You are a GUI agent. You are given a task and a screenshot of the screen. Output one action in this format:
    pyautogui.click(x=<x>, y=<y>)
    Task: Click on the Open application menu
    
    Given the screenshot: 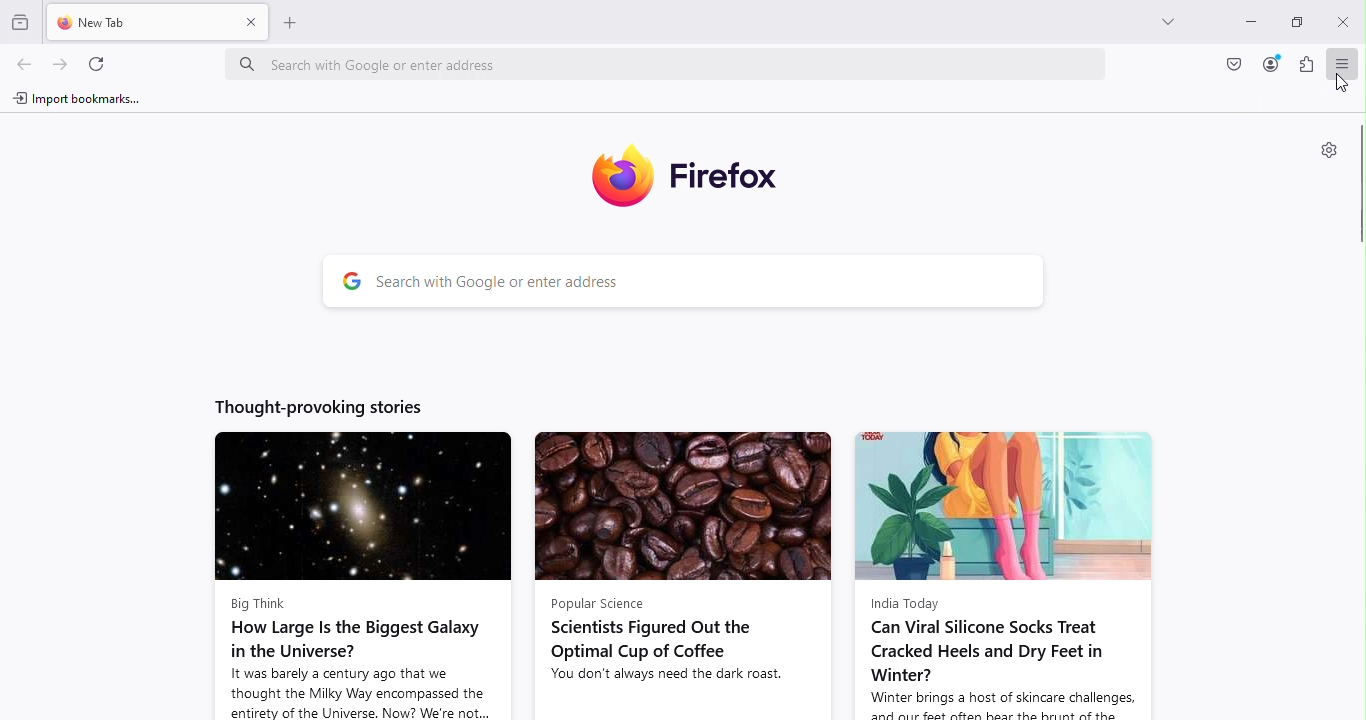 What is the action you would take?
    pyautogui.click(x=1345, y=65)
    